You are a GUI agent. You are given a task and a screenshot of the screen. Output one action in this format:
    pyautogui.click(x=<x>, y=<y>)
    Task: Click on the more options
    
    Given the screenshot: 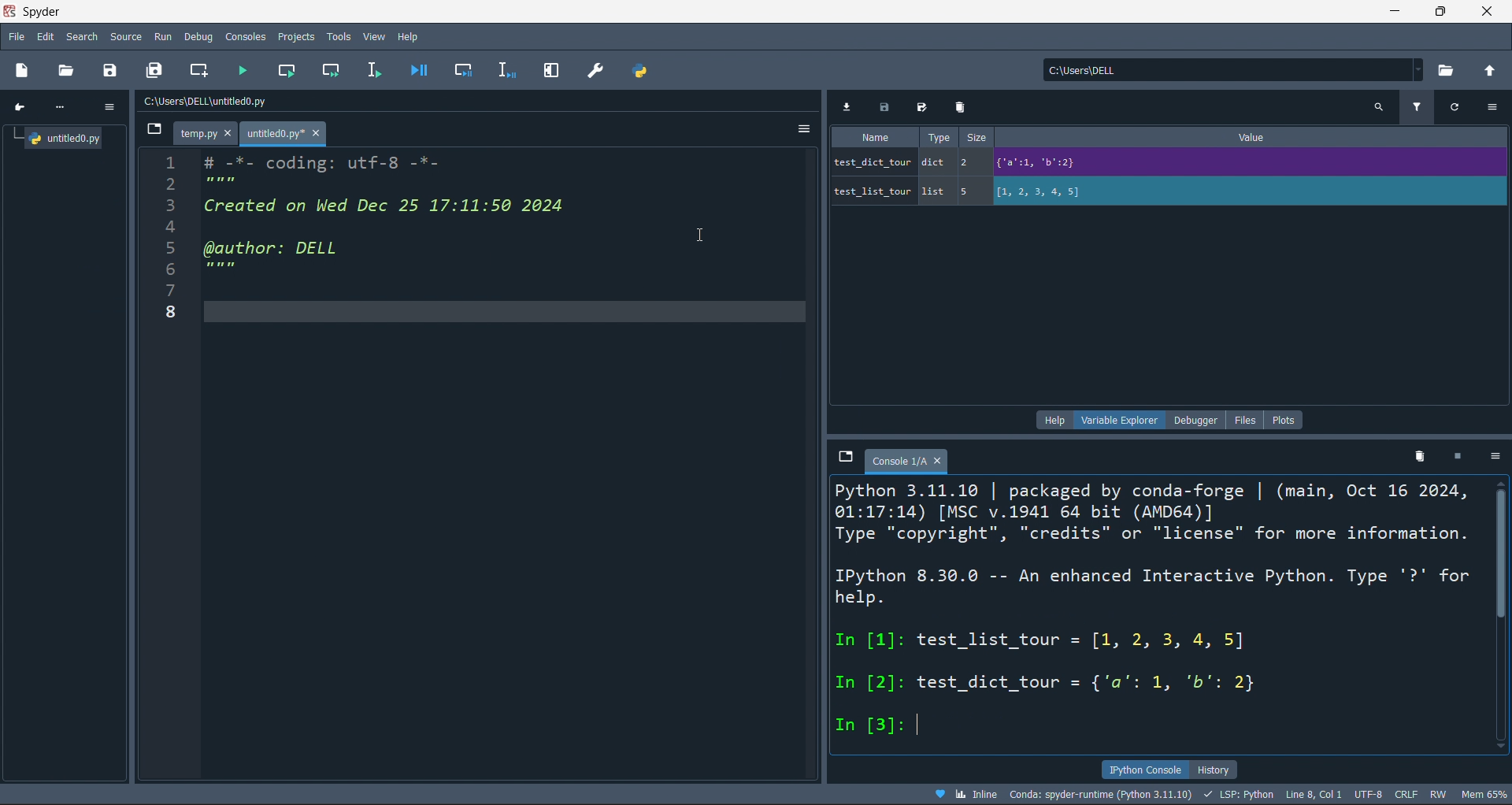 What is the action you would take?
    pyautogui.click(x=1492, y=109)
    